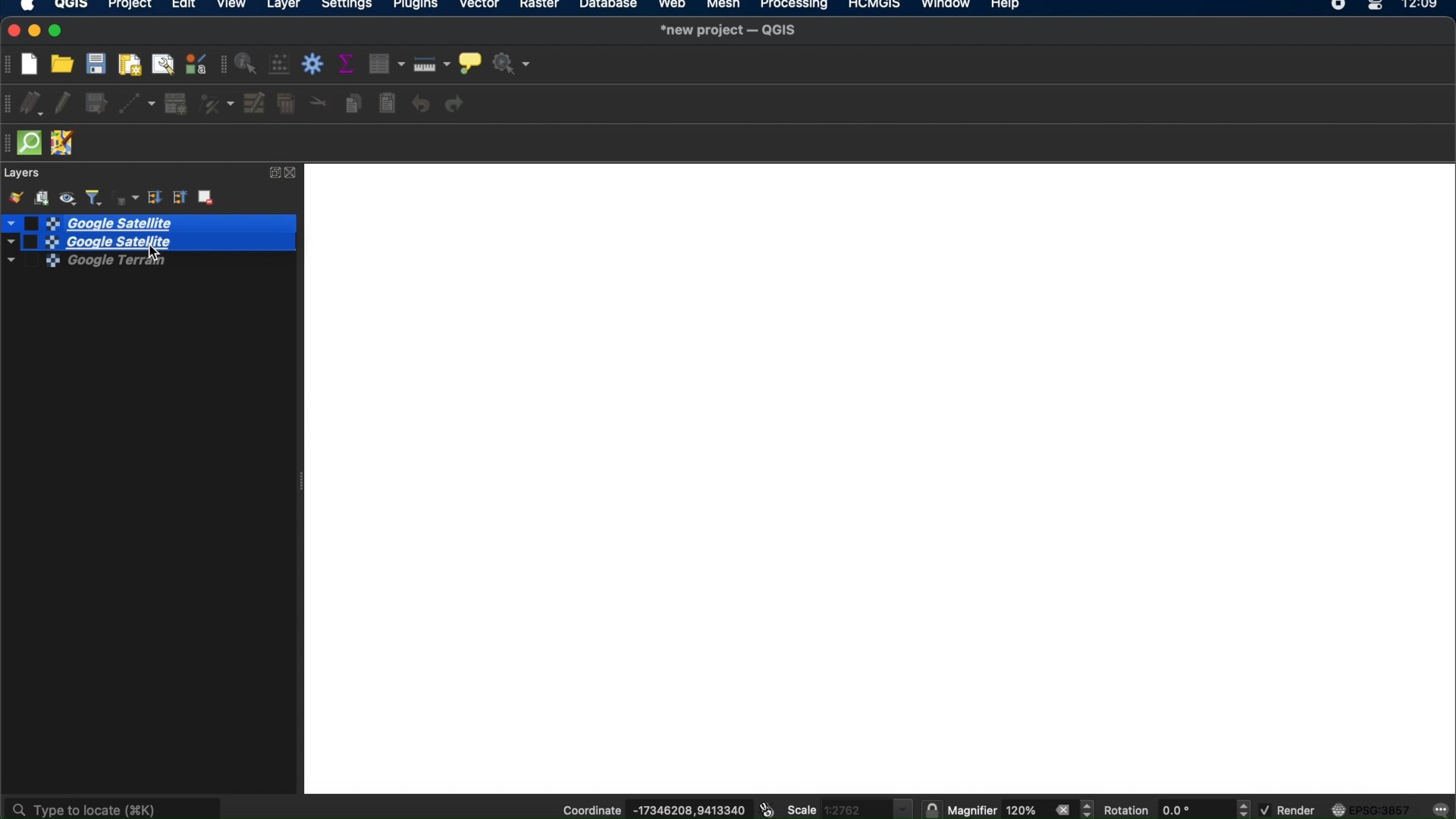 This screenshot has height=819, width=1456. What do you see at coordinates (63, 105) in the screenshot?
I see `toggle editing` at bounding box center [63, 105].